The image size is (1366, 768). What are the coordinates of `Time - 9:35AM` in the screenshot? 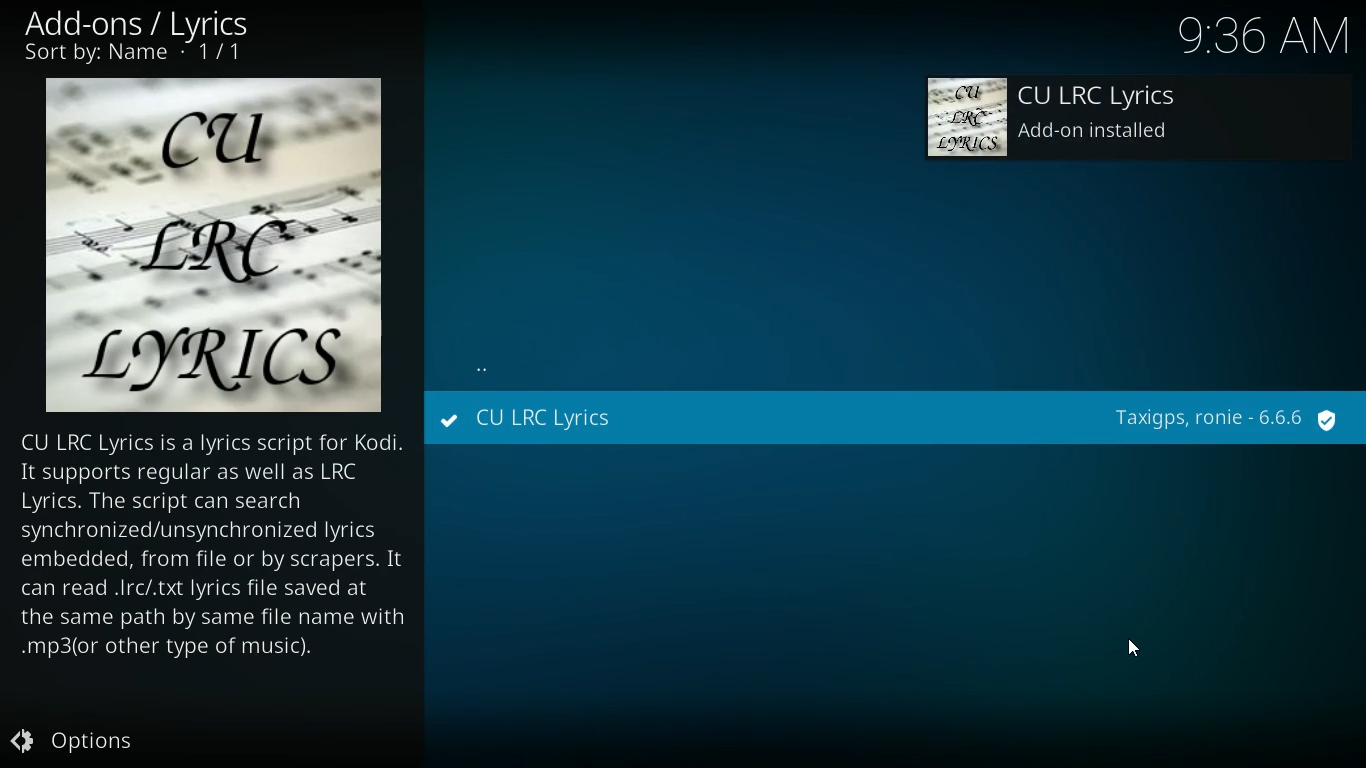 It's located at (1259, 33).